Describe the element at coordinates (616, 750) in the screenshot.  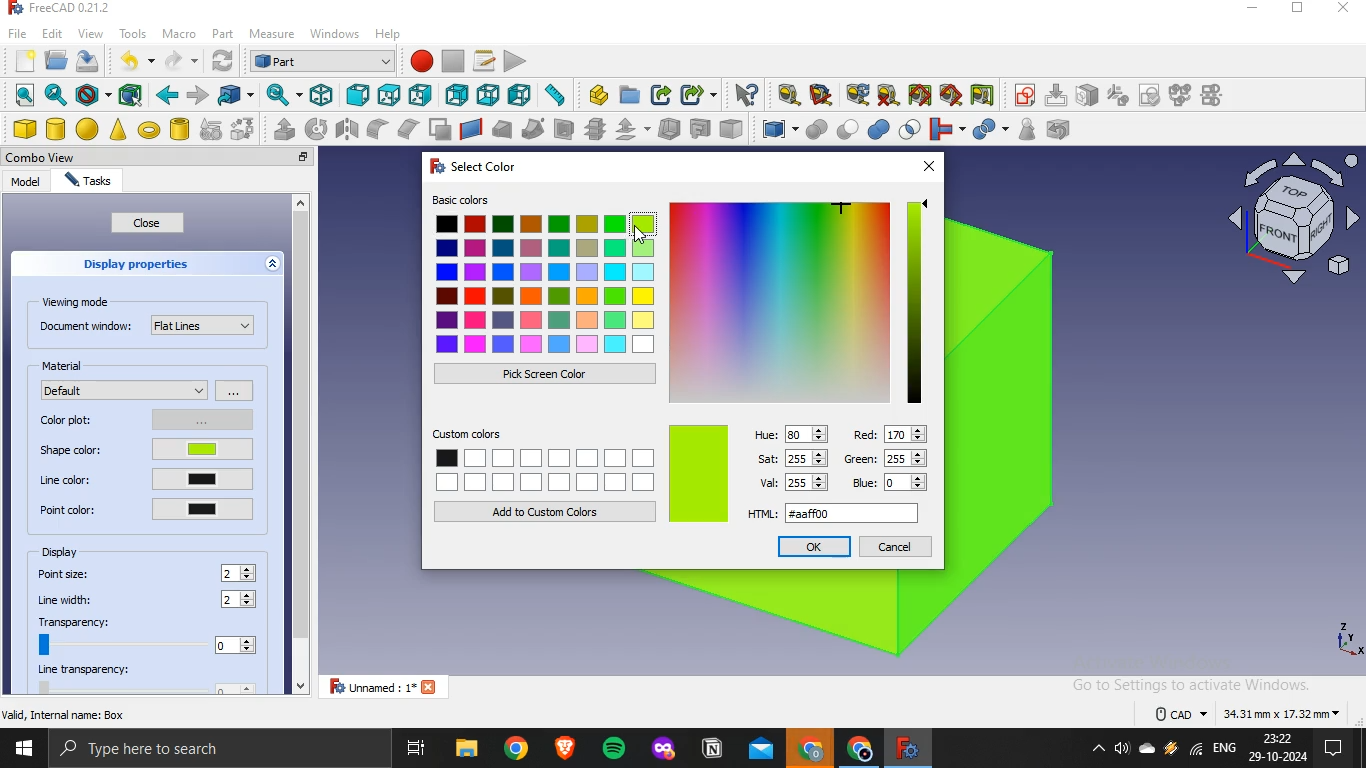
I see `spotify` at that location.